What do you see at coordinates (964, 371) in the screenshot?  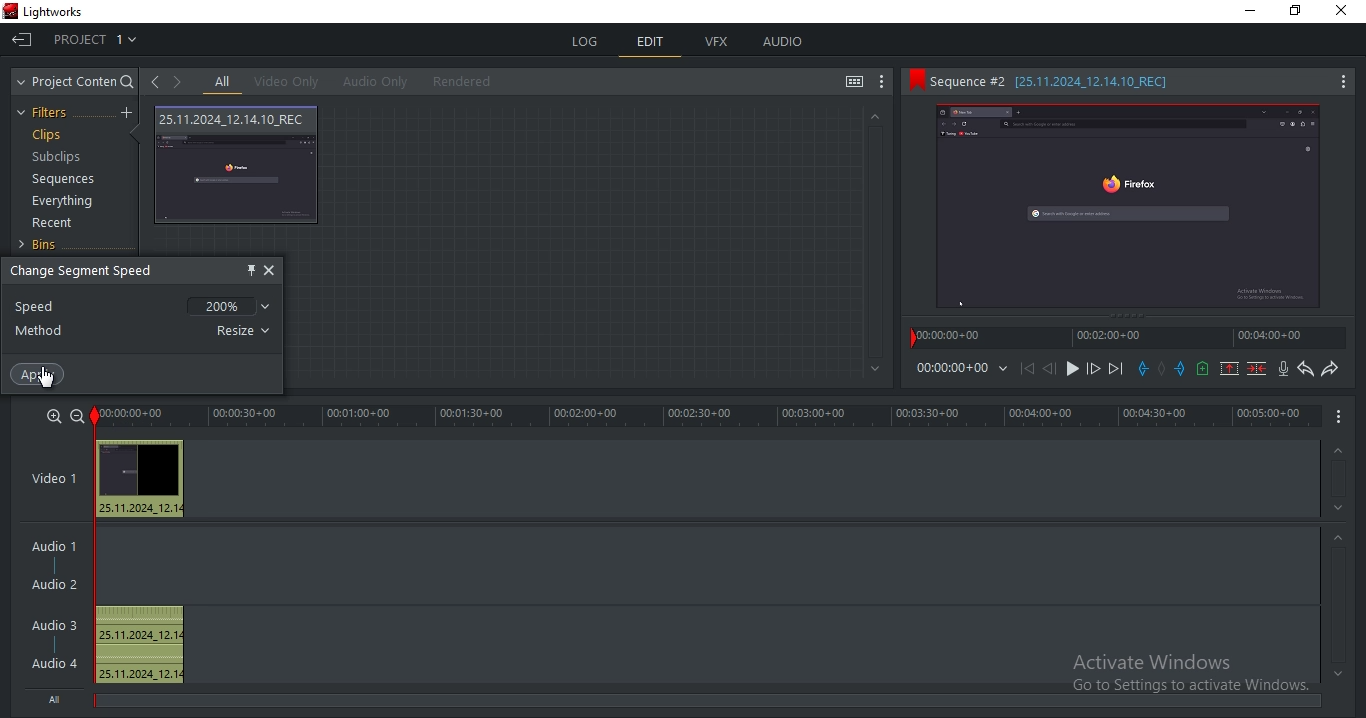 I see `time` at bounding box center [964, 371].